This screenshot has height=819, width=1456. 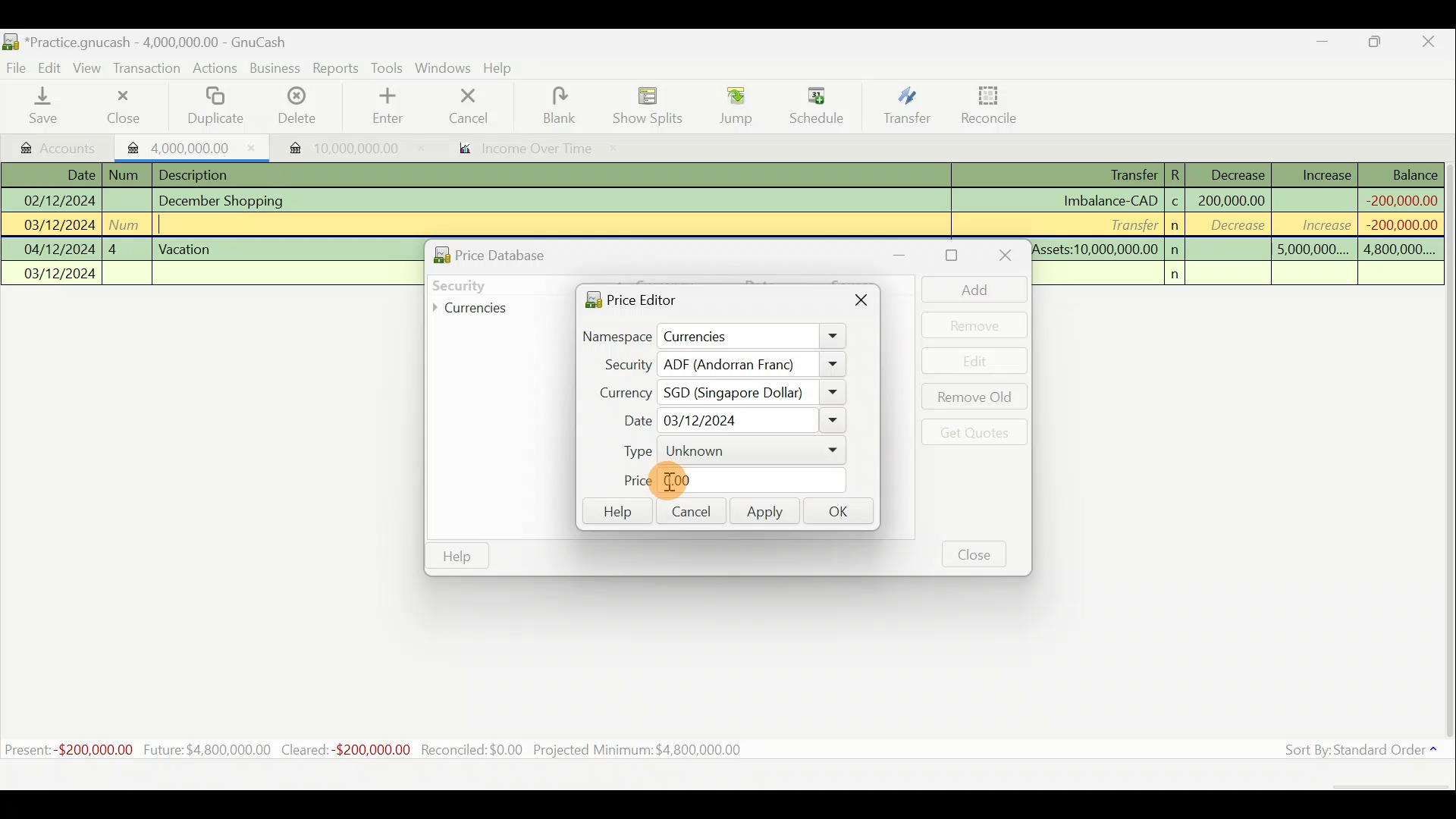 I want to click on Date , so click(x=71, y=174).